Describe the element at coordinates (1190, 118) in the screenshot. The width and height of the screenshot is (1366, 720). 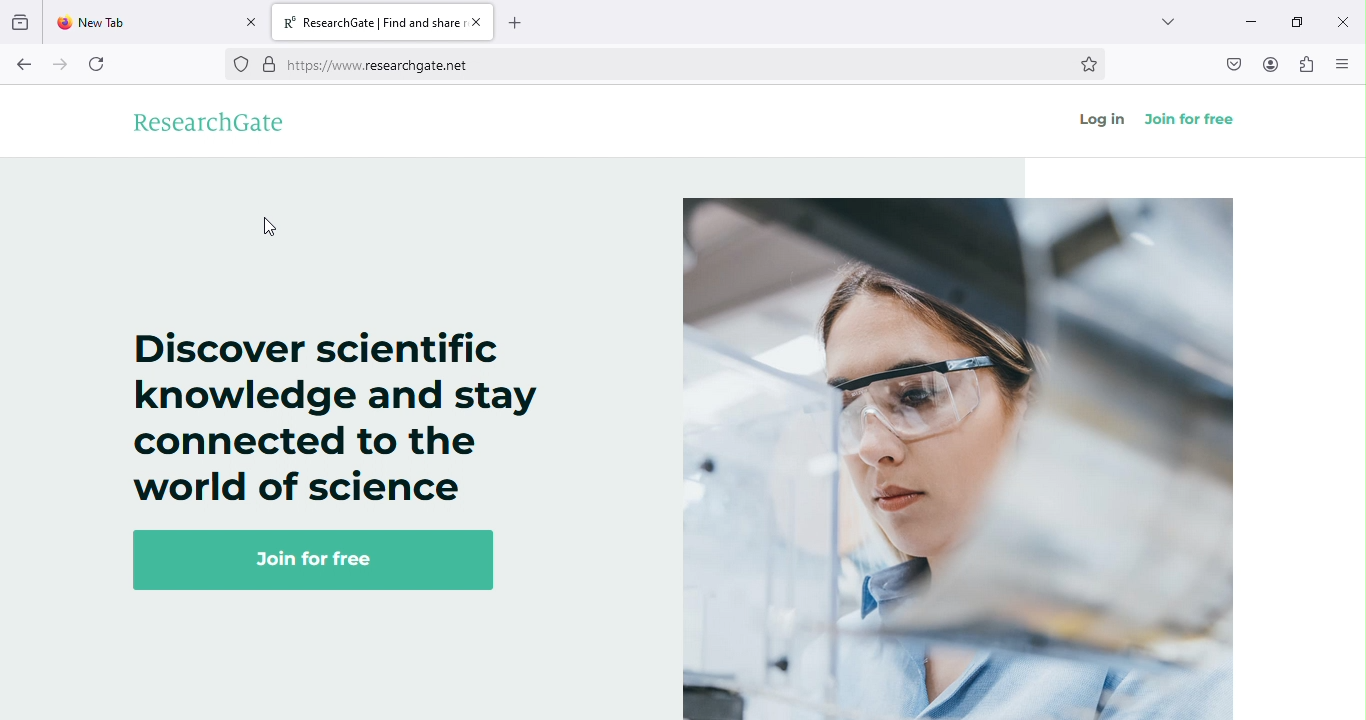
I see `join for free` at that location.